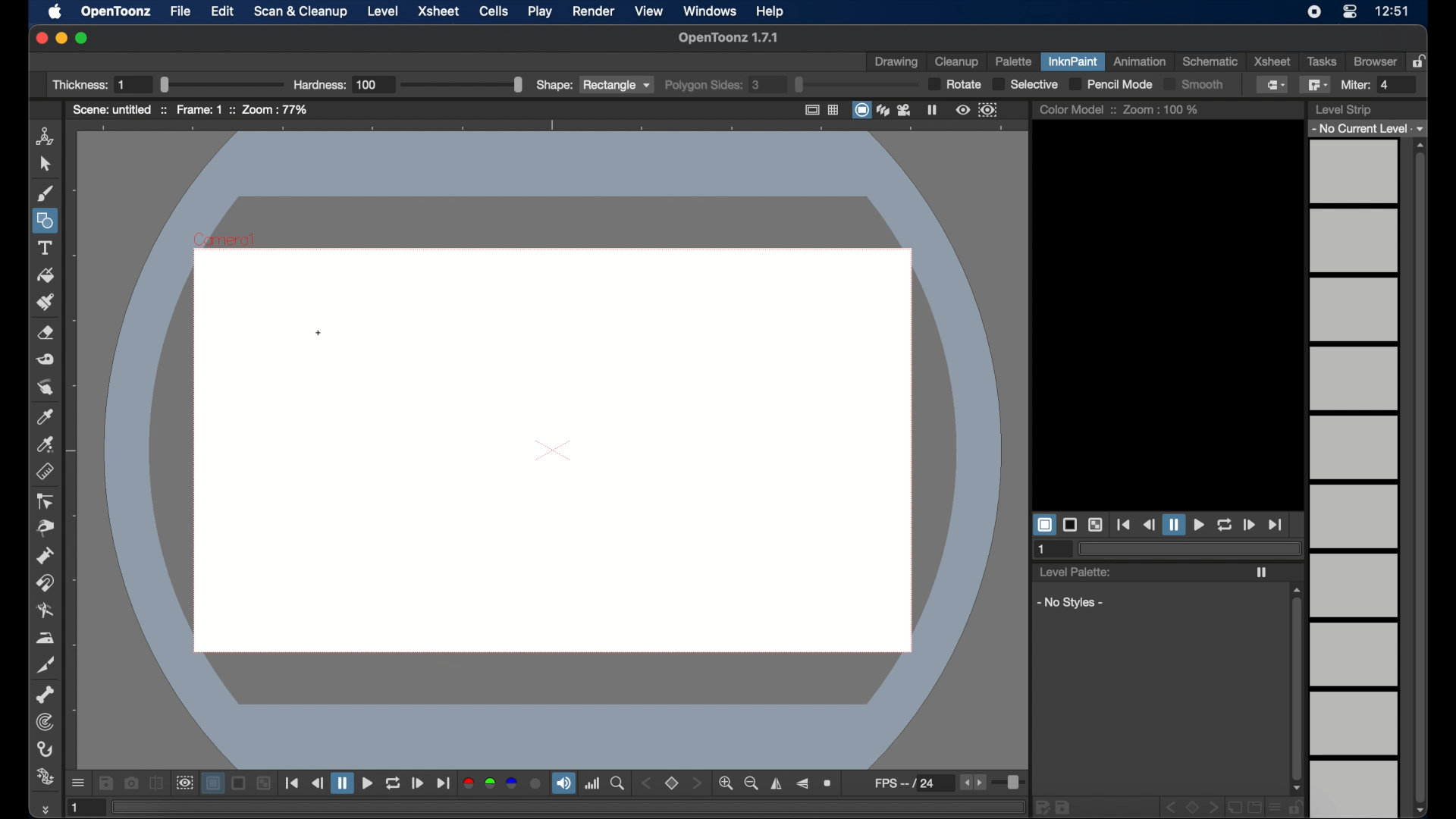 This screenshot has height=819, width=1456. Describe the element at coordinates (263, 783) in the screenshot. I see `checkered background` at that location.